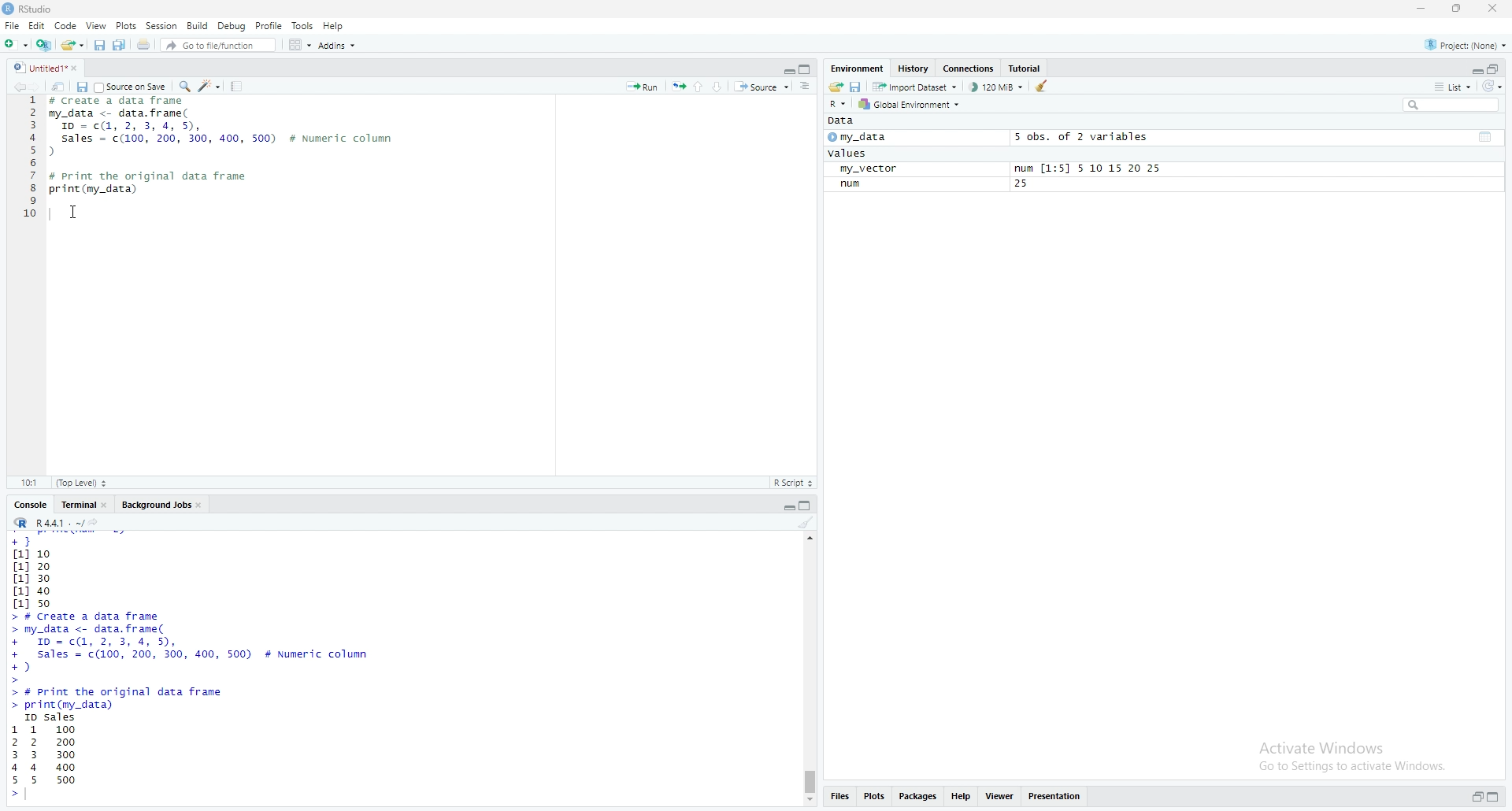  I want to click on print the current file, so click(145, 46).